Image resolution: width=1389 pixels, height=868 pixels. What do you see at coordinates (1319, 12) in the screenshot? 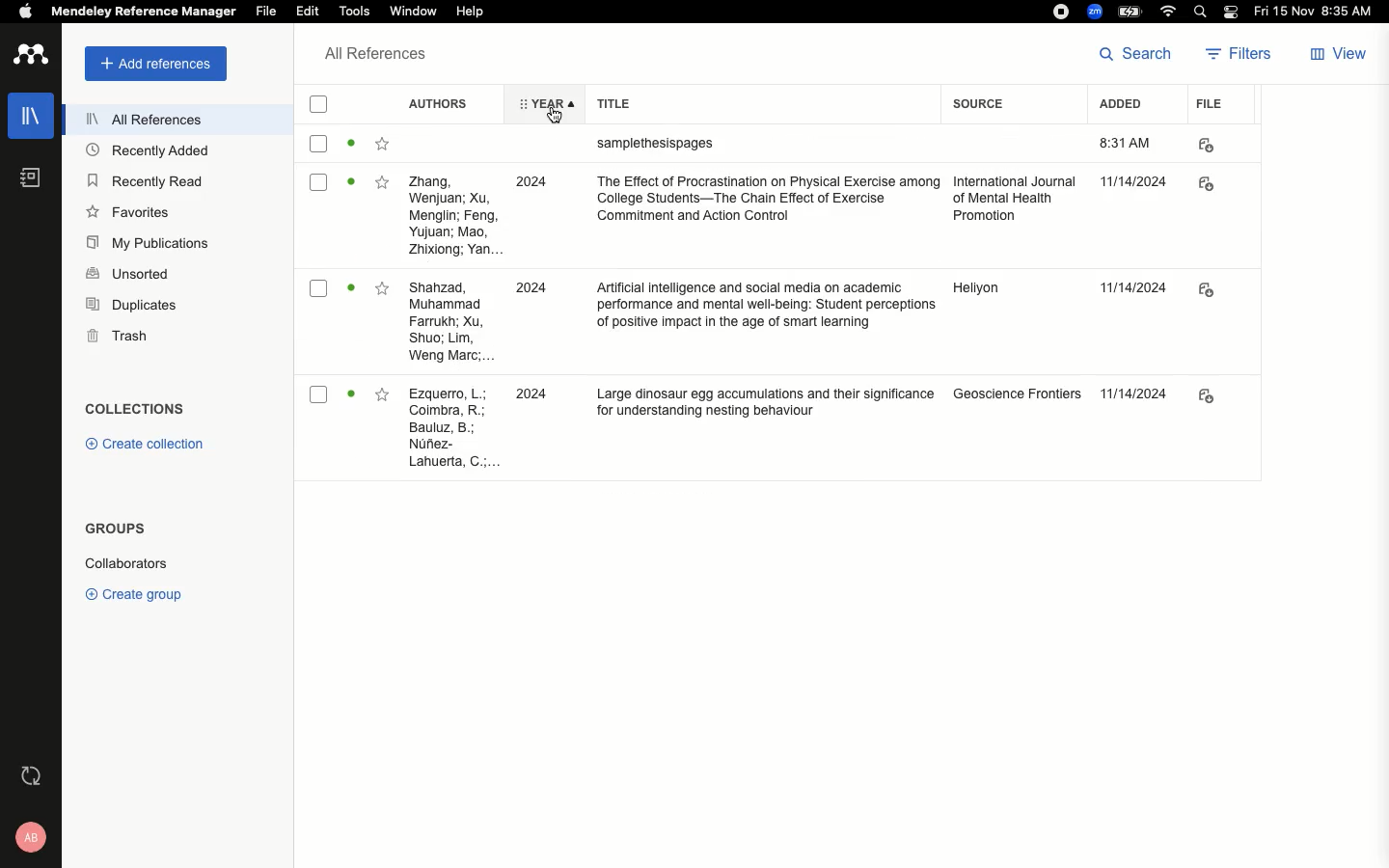
I see `Date/time` at bounding box center [1319, 12].